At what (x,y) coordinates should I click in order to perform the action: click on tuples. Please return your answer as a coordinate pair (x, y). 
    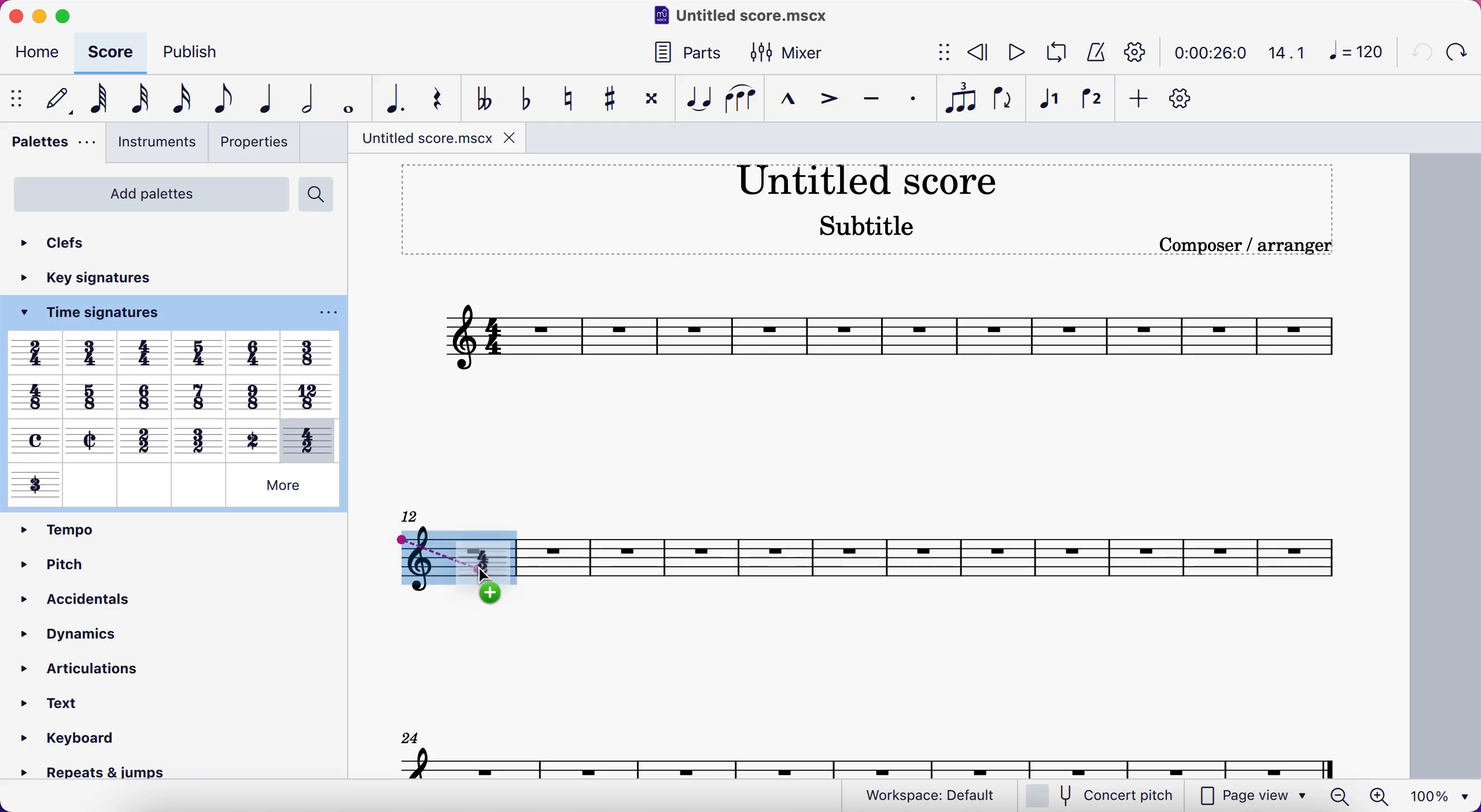
    Looking at the image, I should click on (957, 99).